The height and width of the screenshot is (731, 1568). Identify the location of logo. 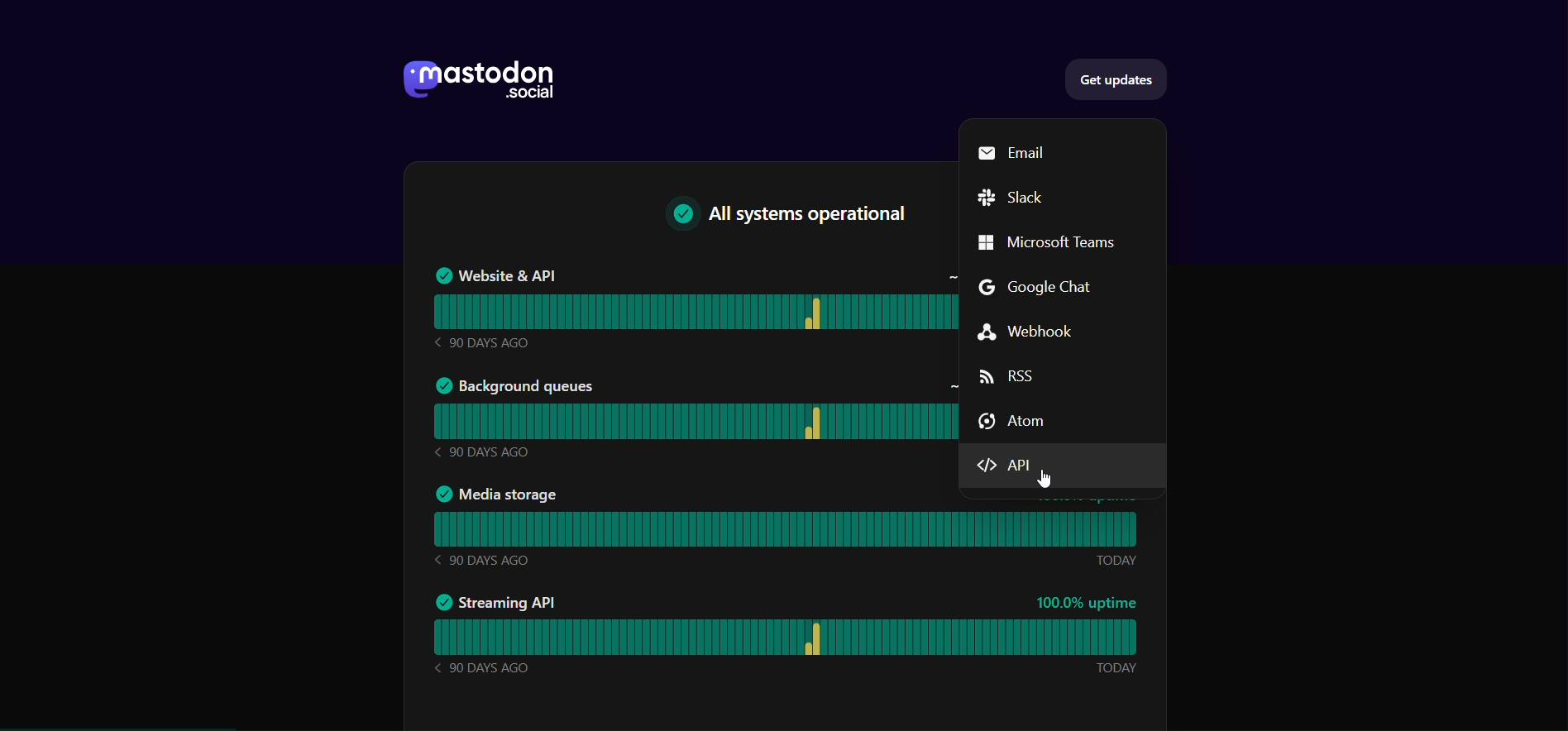
(471, 76).